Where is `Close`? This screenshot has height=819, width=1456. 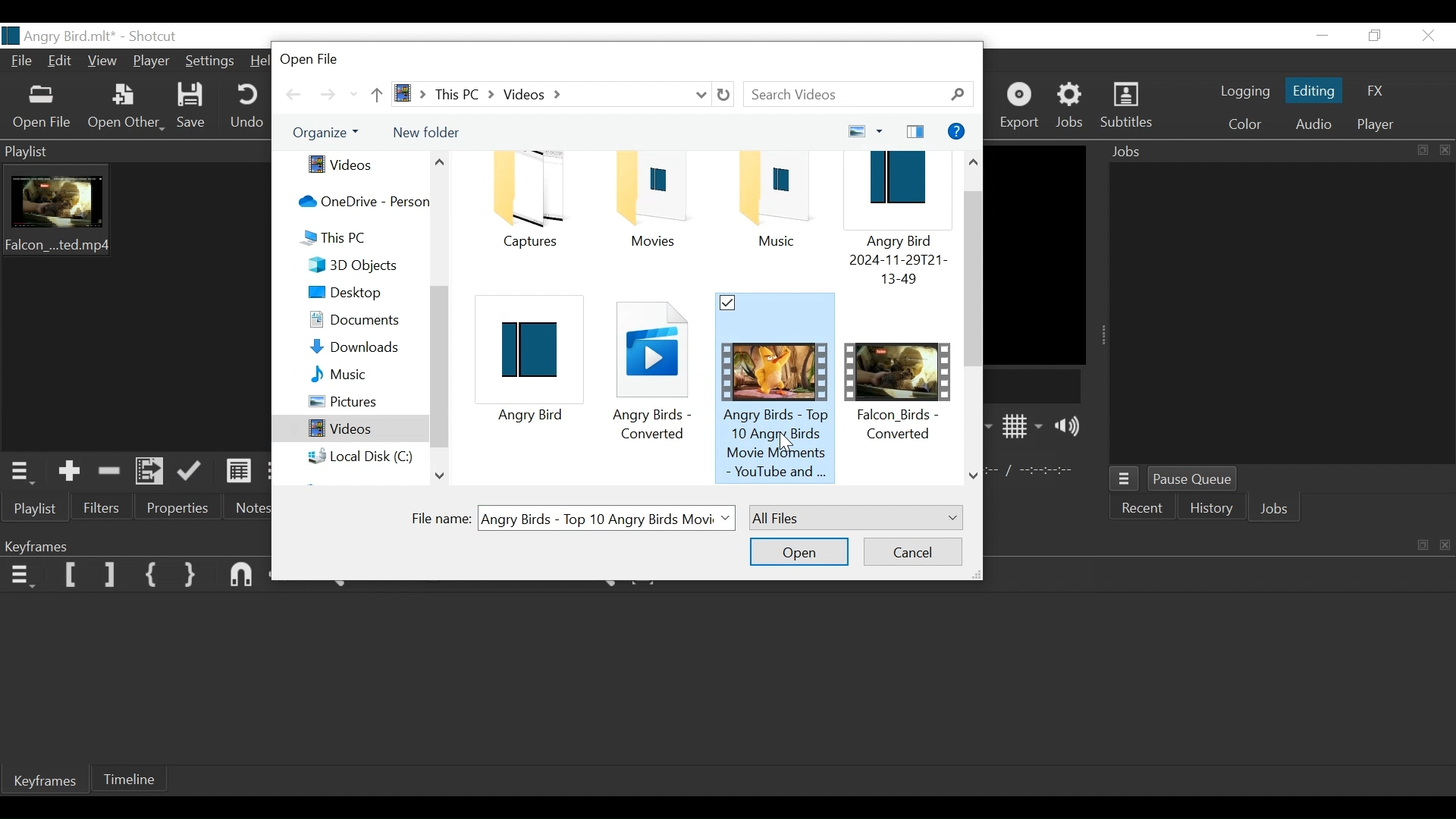 Close is located at coordinates (962, 59).